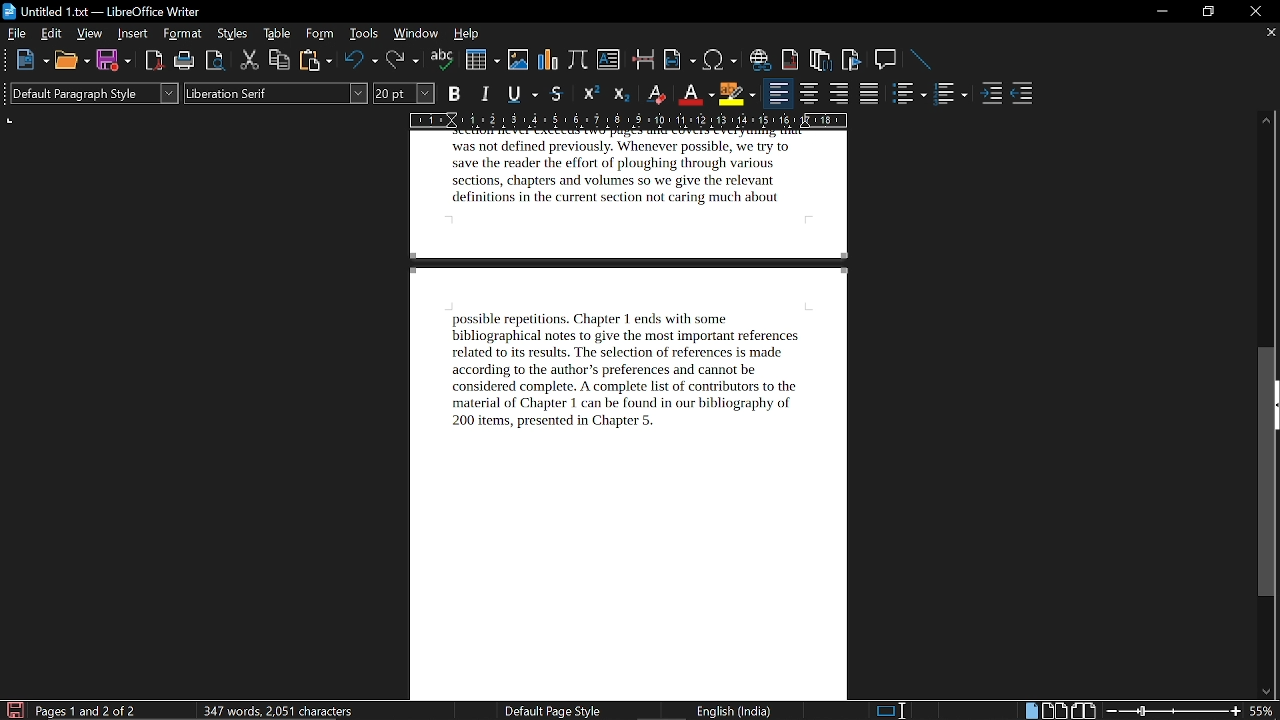 The image size is (1280, 720). What do you see at coordinates (250, 60) in the screenshot?
I see `cut` at bounding box center [250, 60].